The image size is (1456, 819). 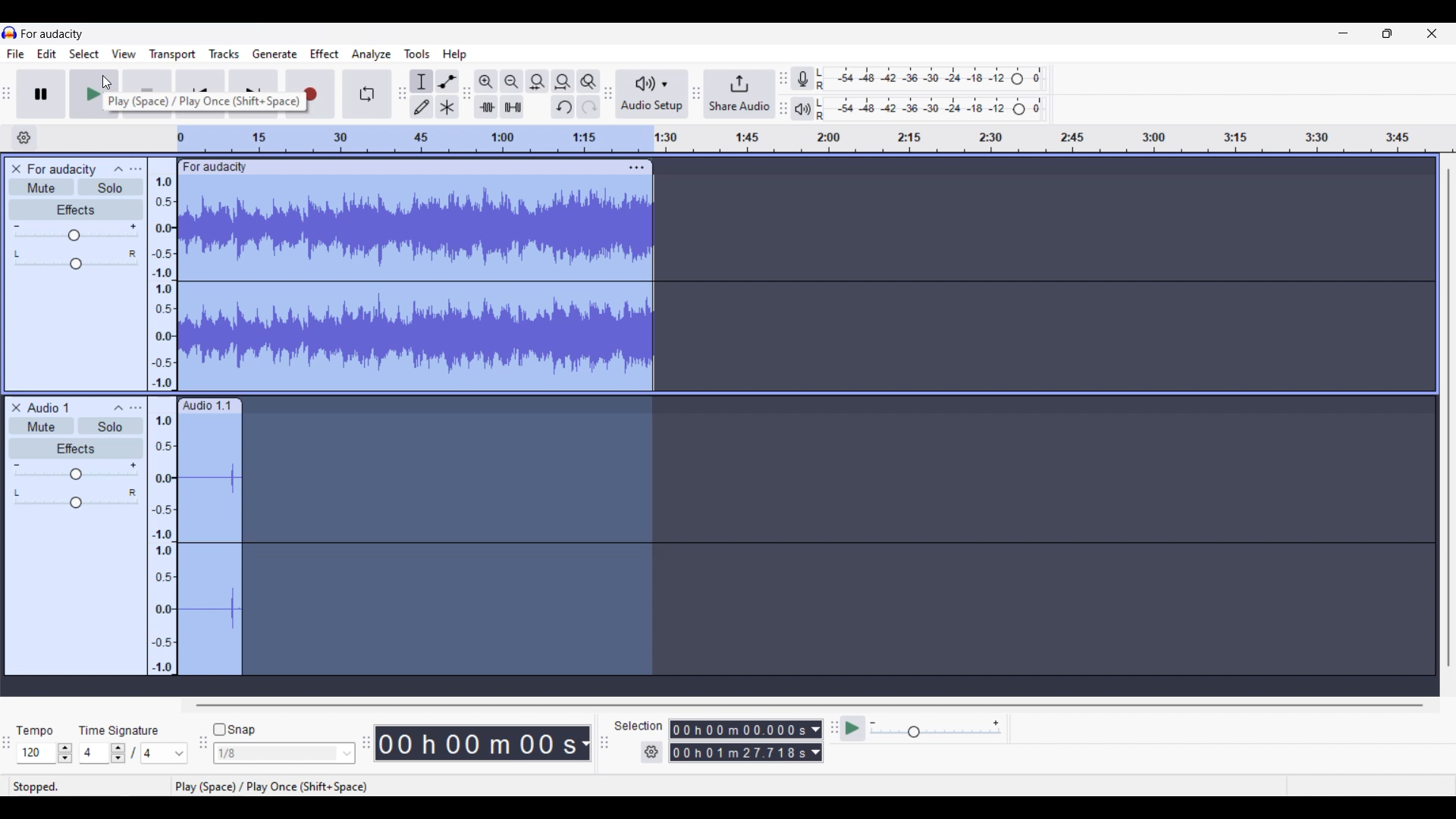 What do you see at coordinates (937, 728) in the screenshot?
I see `Playback speed settings` at bounding box center [937, 728].